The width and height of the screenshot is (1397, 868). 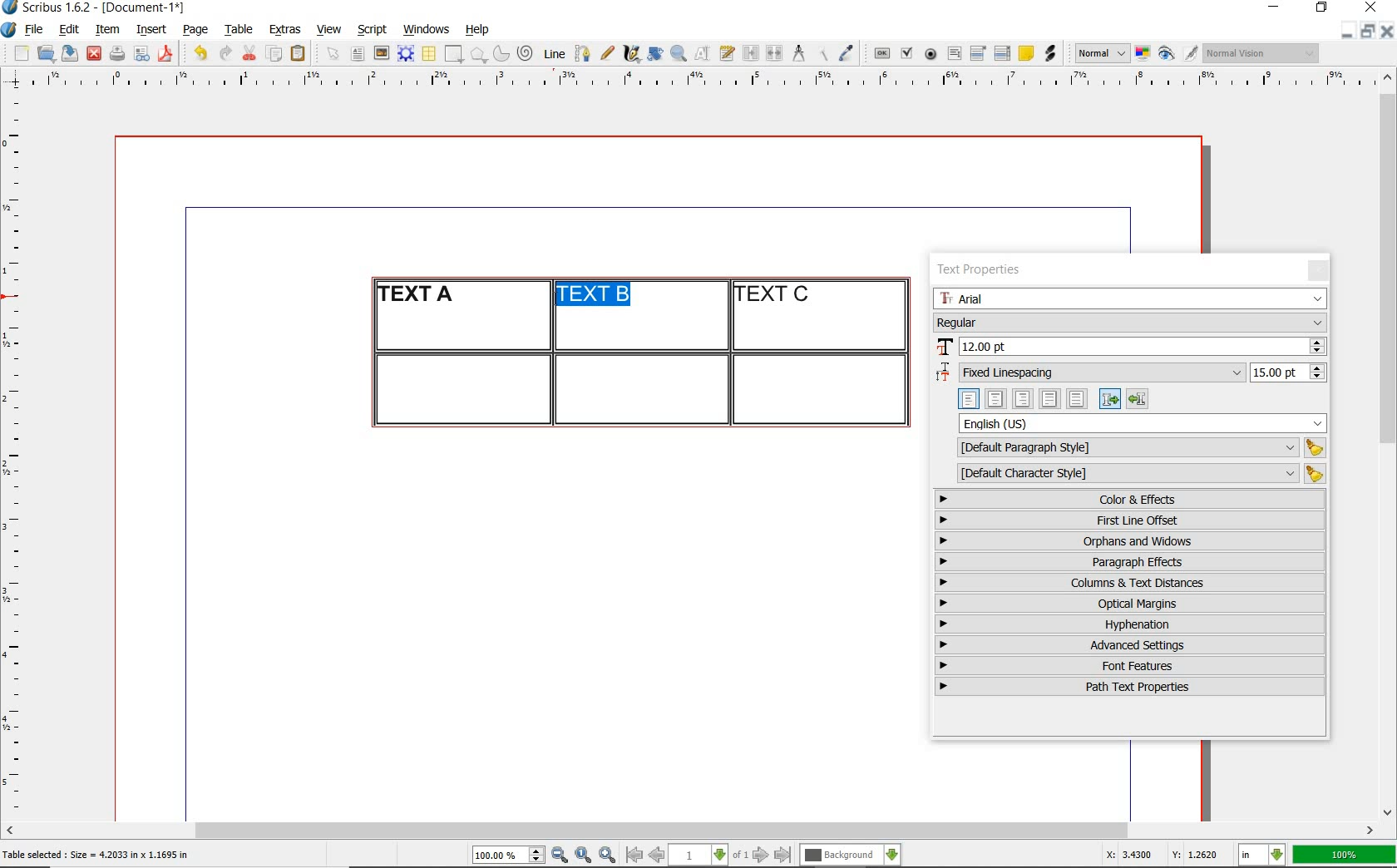 I want to click on font style, so click(x=1130, y=322).